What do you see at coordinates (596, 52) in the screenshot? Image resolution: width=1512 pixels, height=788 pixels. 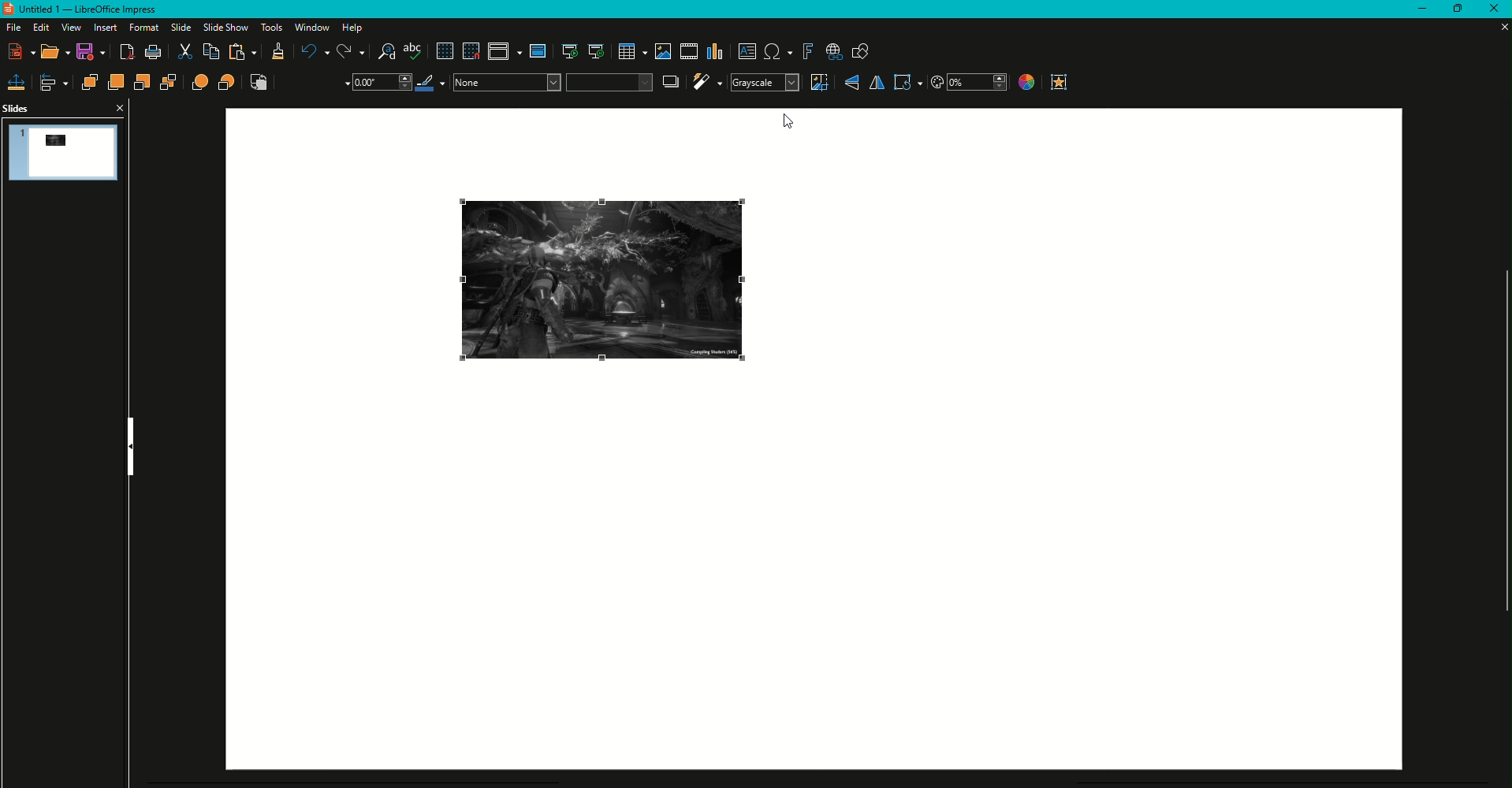 I see `Current Slide` at bounding box center [596, 52].